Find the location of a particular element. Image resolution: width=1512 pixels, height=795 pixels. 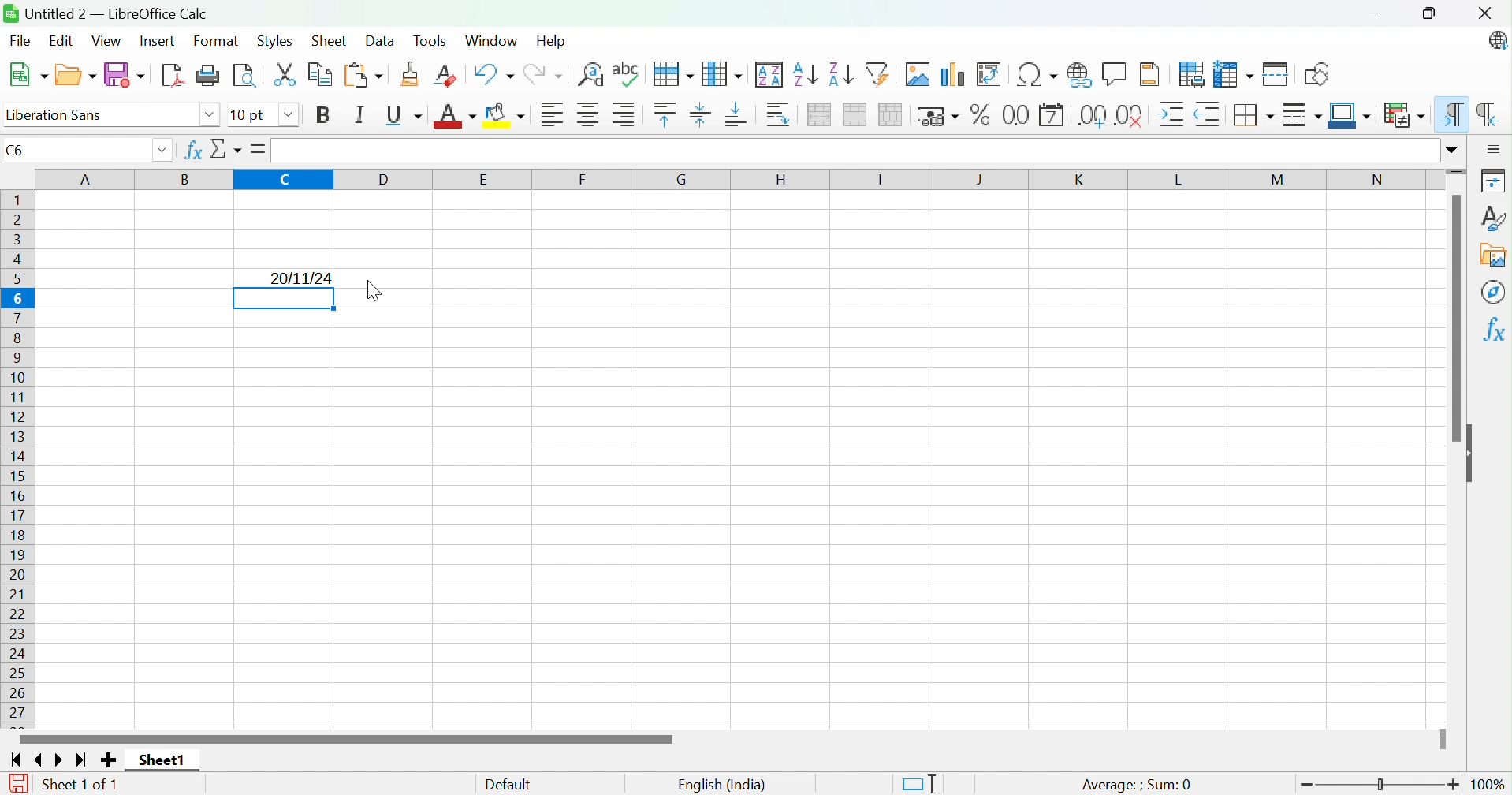

Find and replace is located at coordinates (593, 76).